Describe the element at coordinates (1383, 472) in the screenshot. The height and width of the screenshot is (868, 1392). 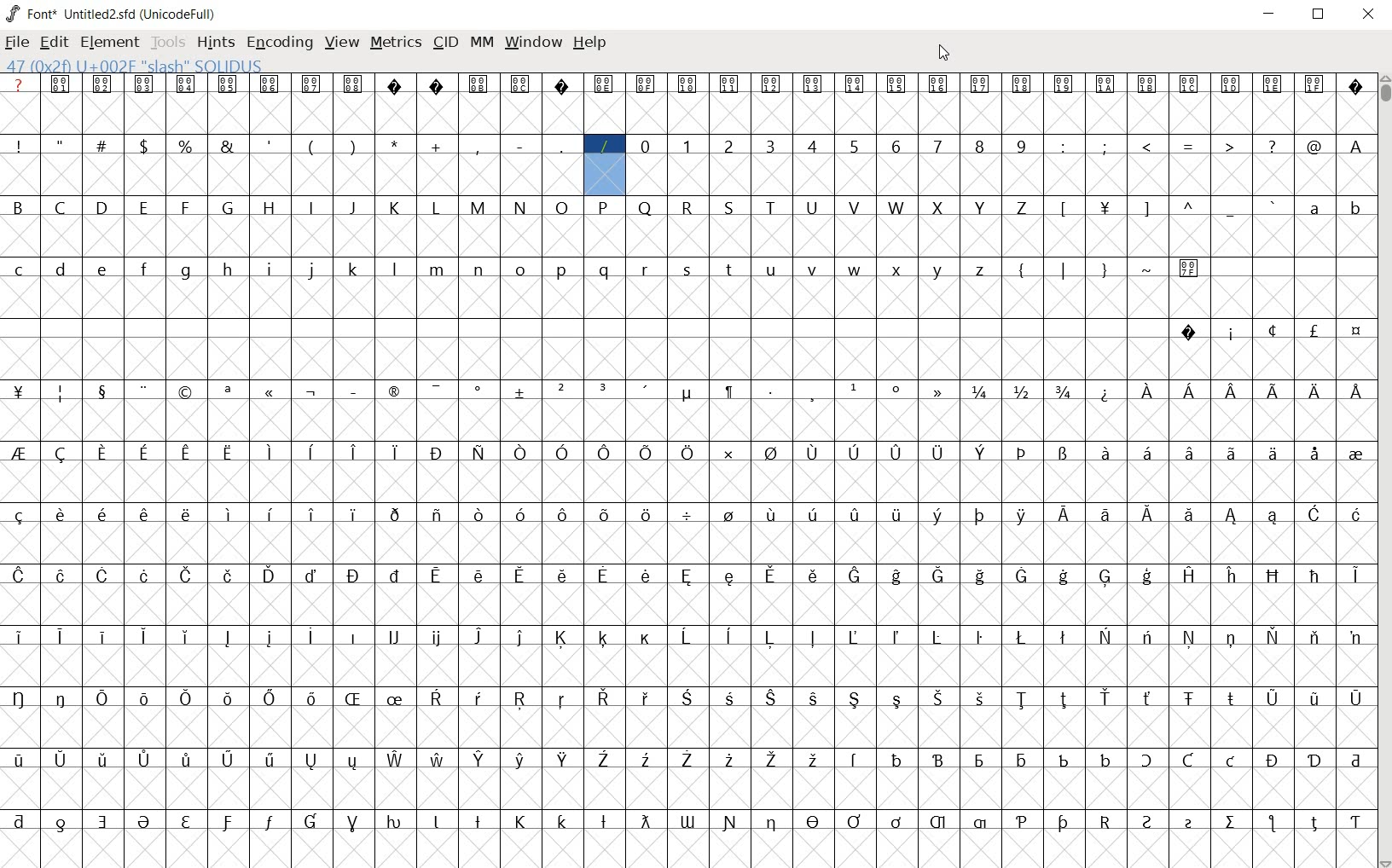
I see `SCROLLBAR` at that location.